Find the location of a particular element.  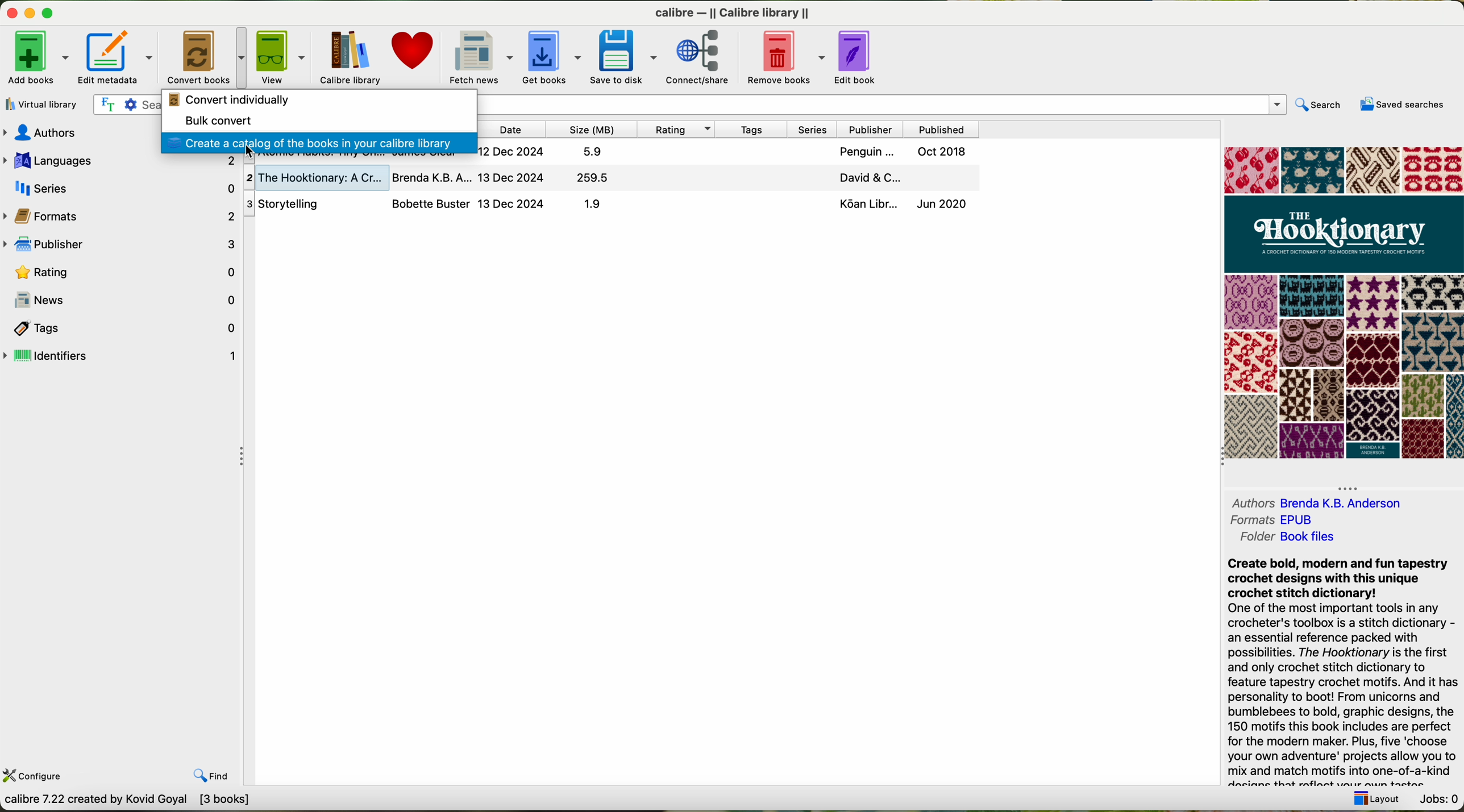

series is located at coordinates (121, 189).